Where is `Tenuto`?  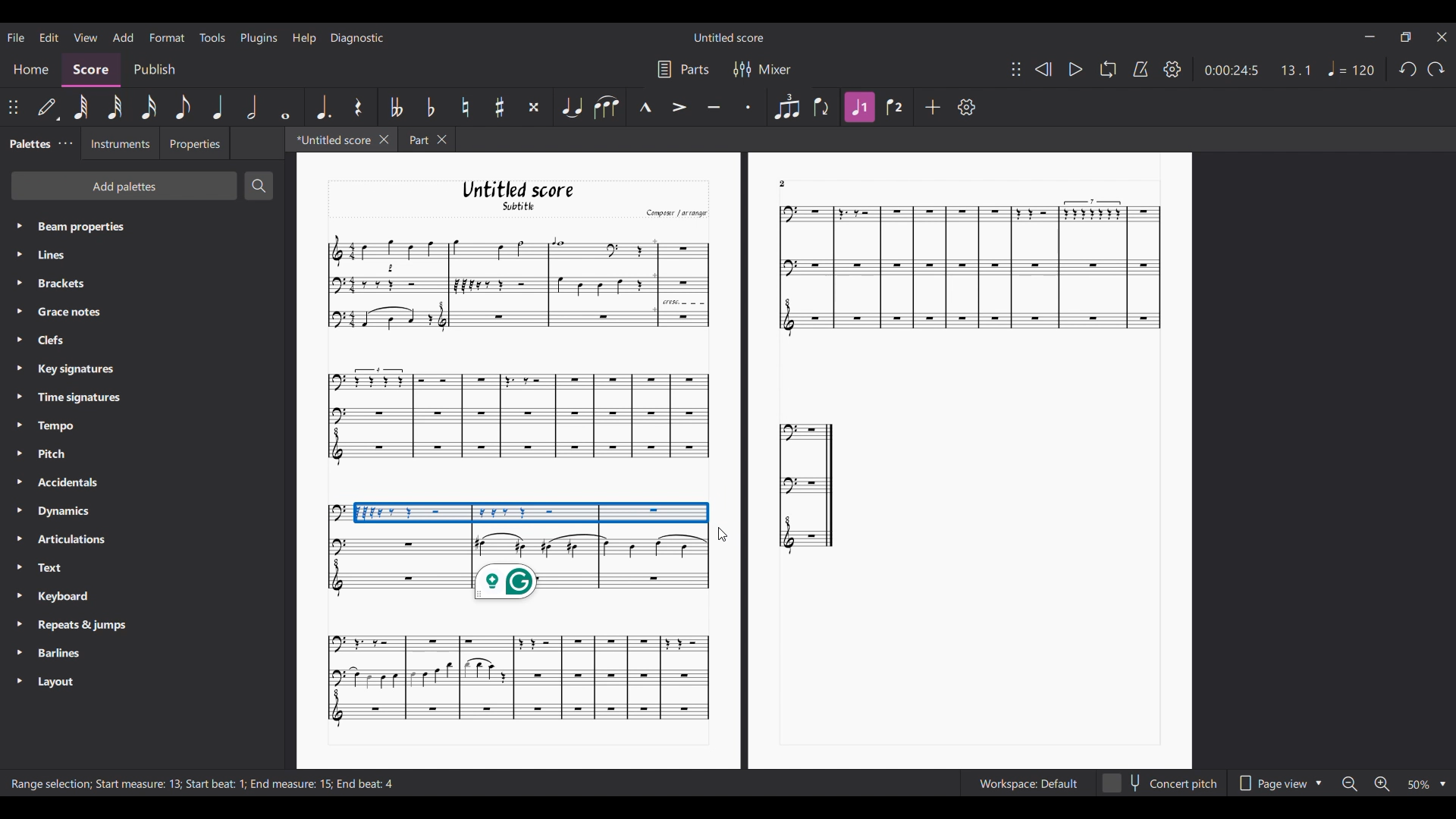
Tenuto is located at coordinates (713, 108).